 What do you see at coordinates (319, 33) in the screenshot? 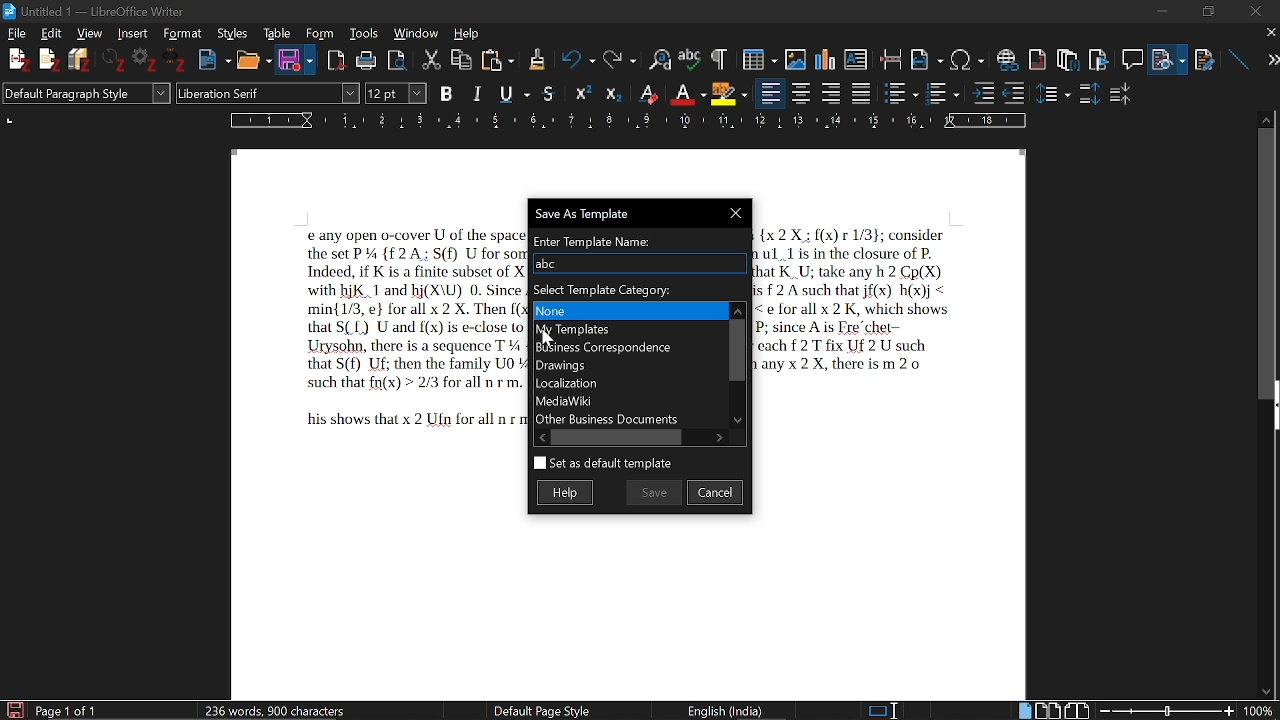
I see `Form` at bounding box center [319, 33].